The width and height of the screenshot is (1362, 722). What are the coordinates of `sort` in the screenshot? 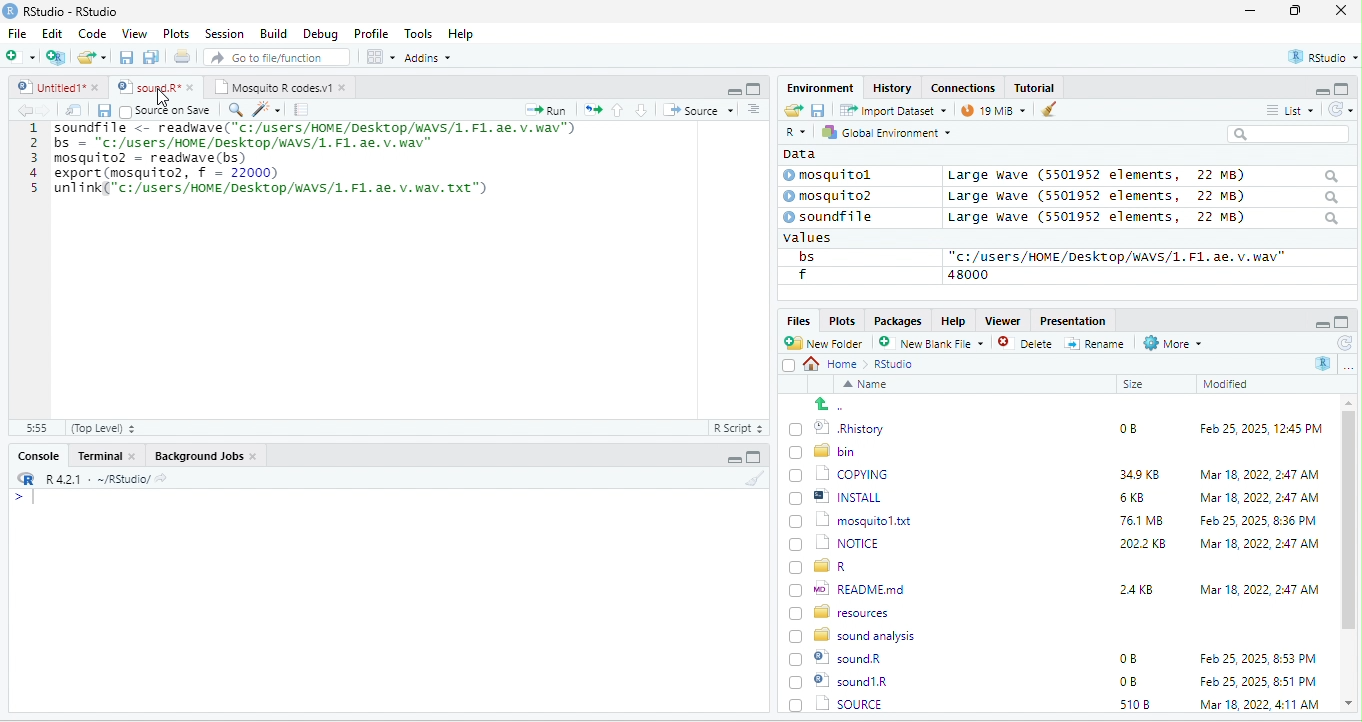 It's located at (753, 108).